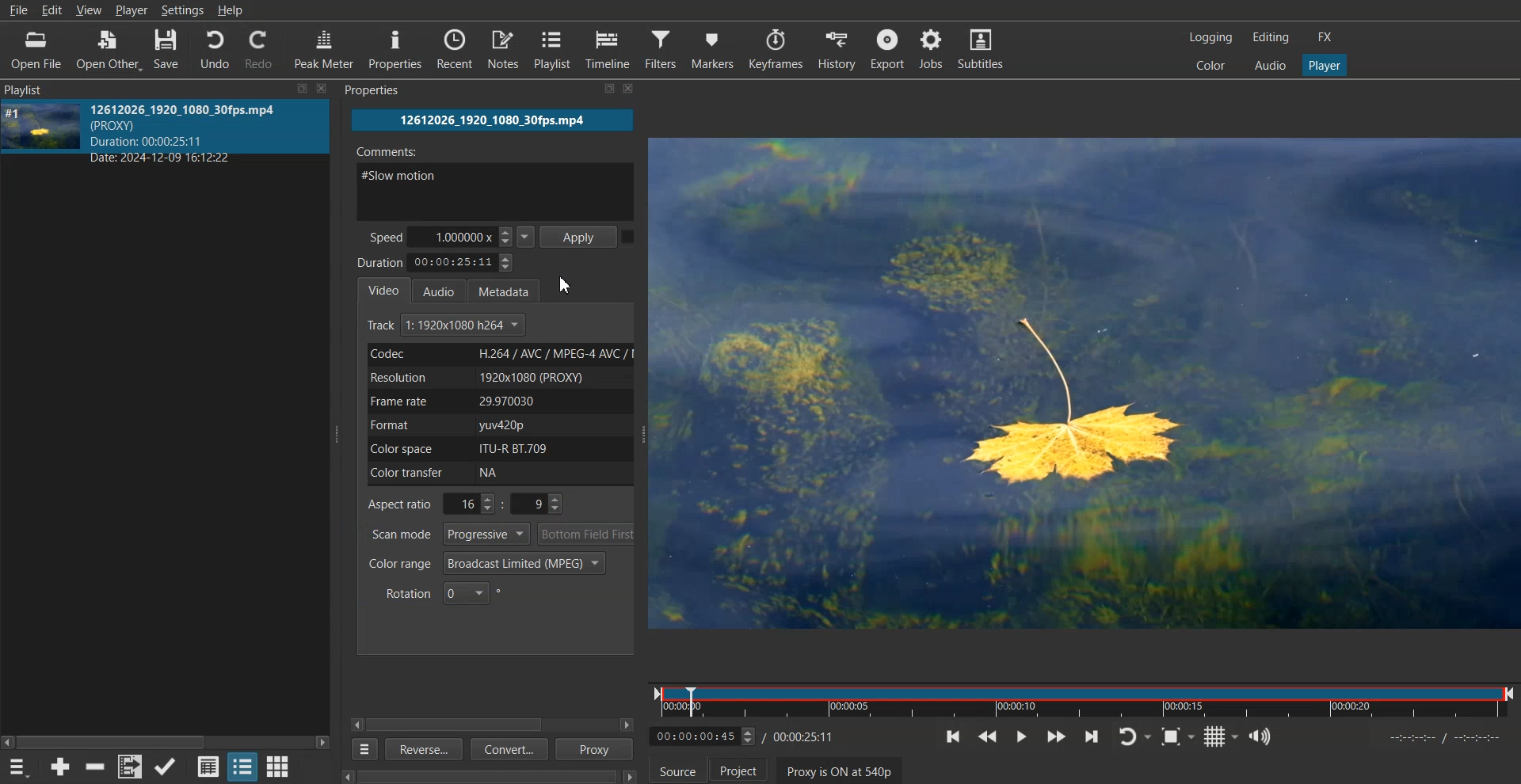 This screenshot has height=784, width=1521. I want to click on Properties, so click(396, 50).